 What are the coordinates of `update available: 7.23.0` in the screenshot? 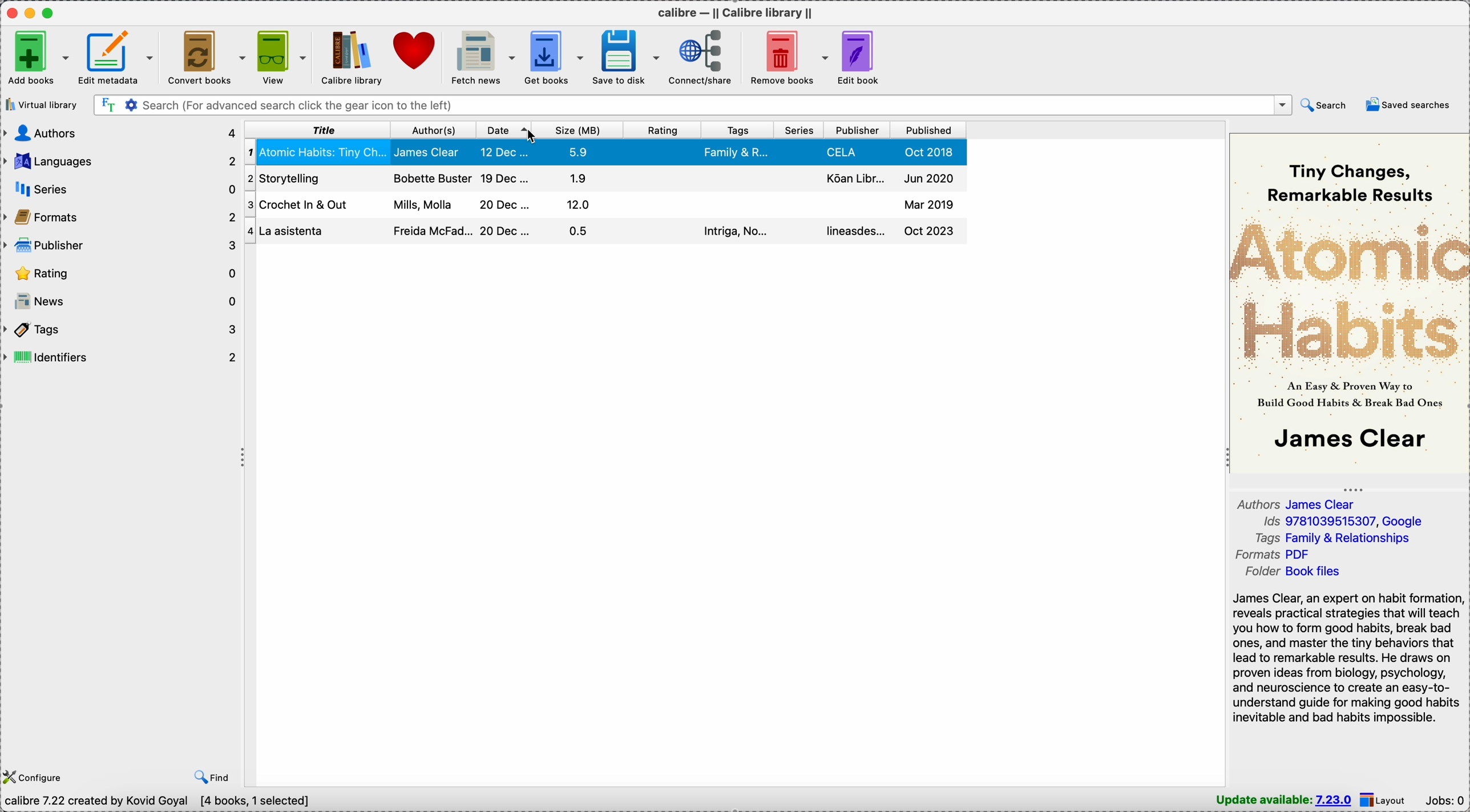 It's located at (1283, 800).